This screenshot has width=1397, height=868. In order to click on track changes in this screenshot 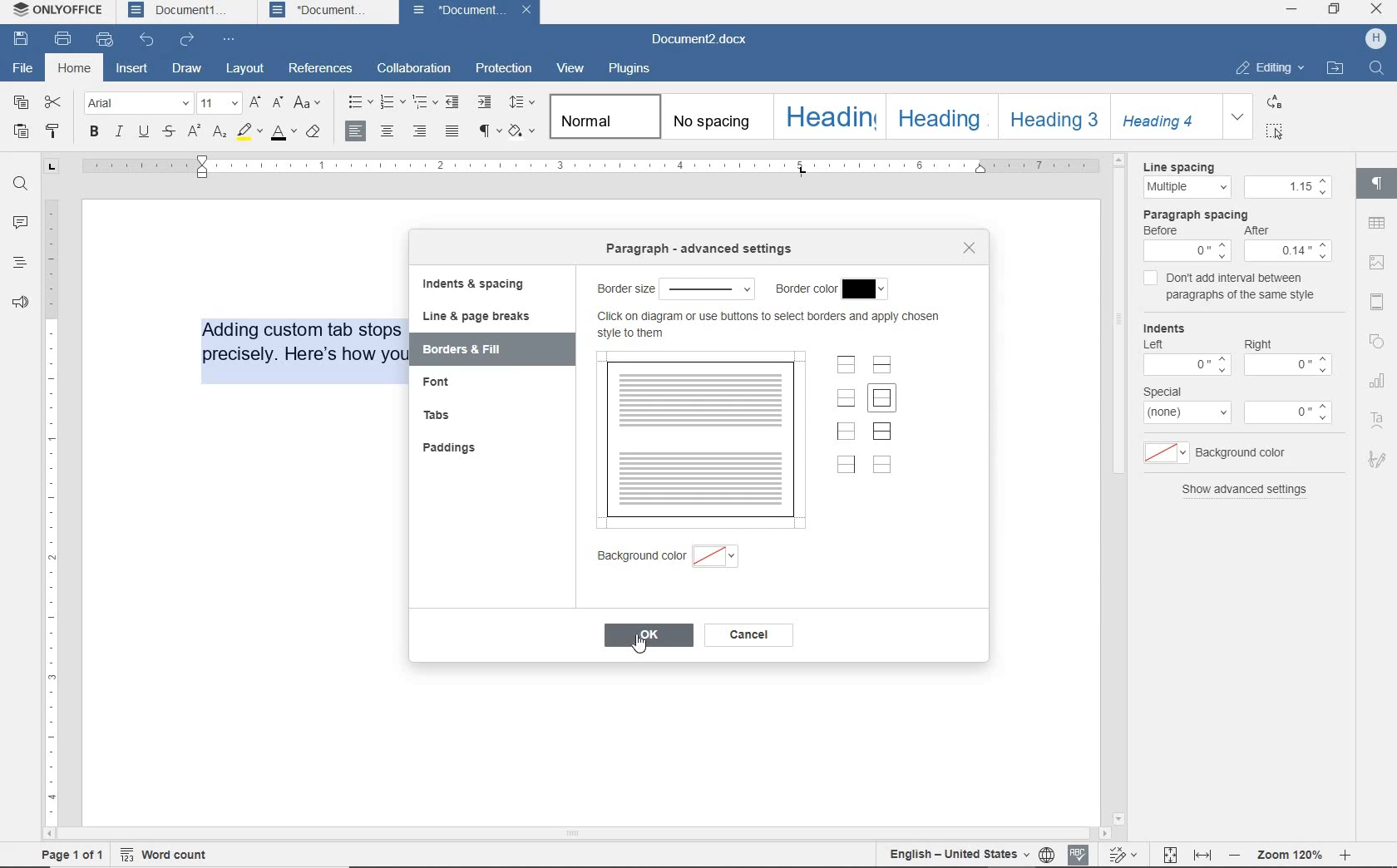, I will do `click(1126, 853)`.